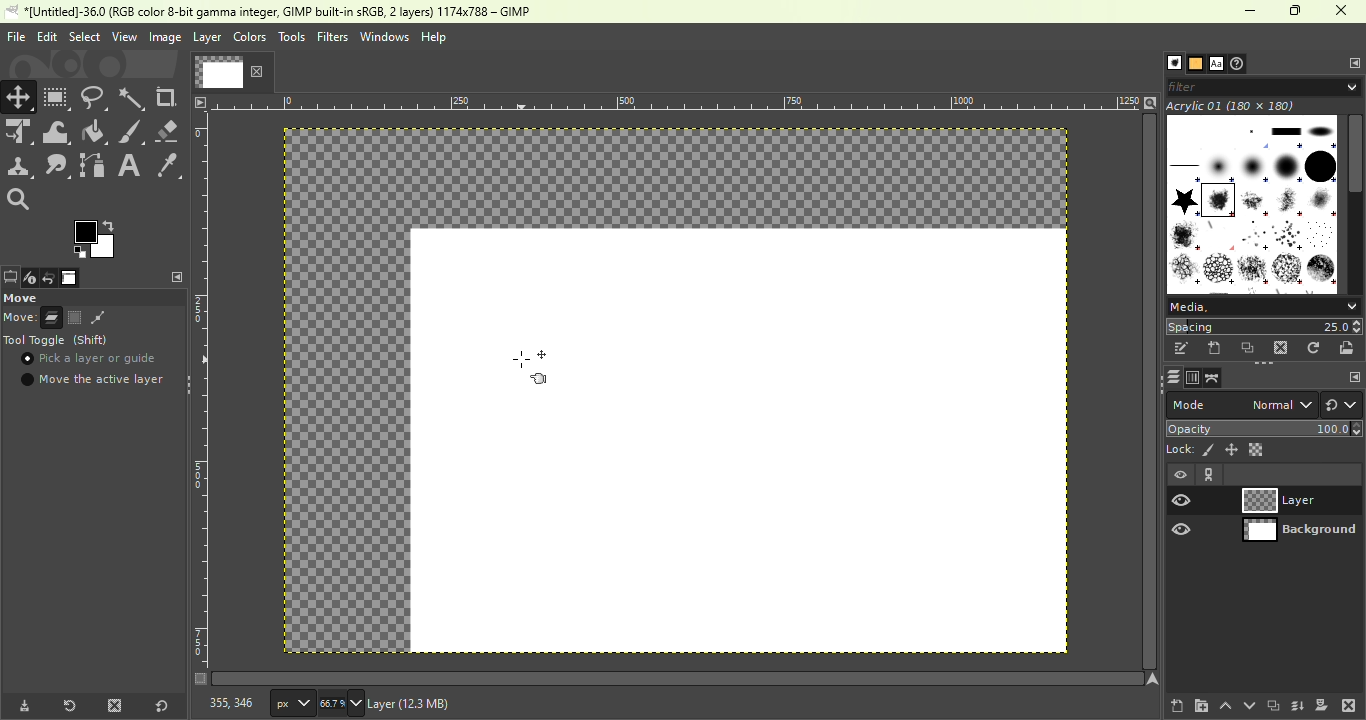  Describe the element at coordinates (168, 164) in the screenshot. I see `Color picker tool` at that location.